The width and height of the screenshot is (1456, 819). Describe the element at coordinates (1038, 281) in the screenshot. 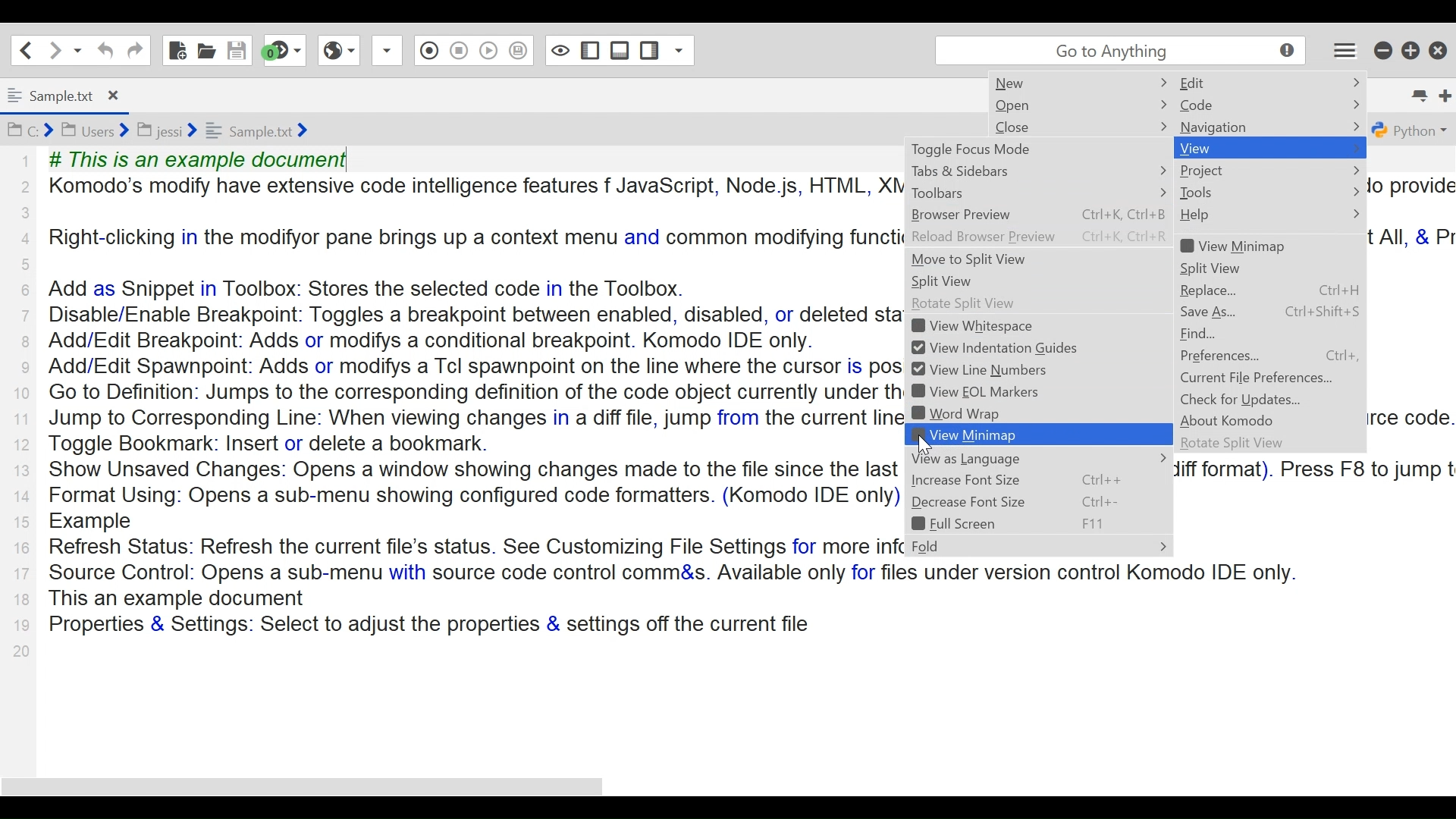

I see `Split View` at that location.